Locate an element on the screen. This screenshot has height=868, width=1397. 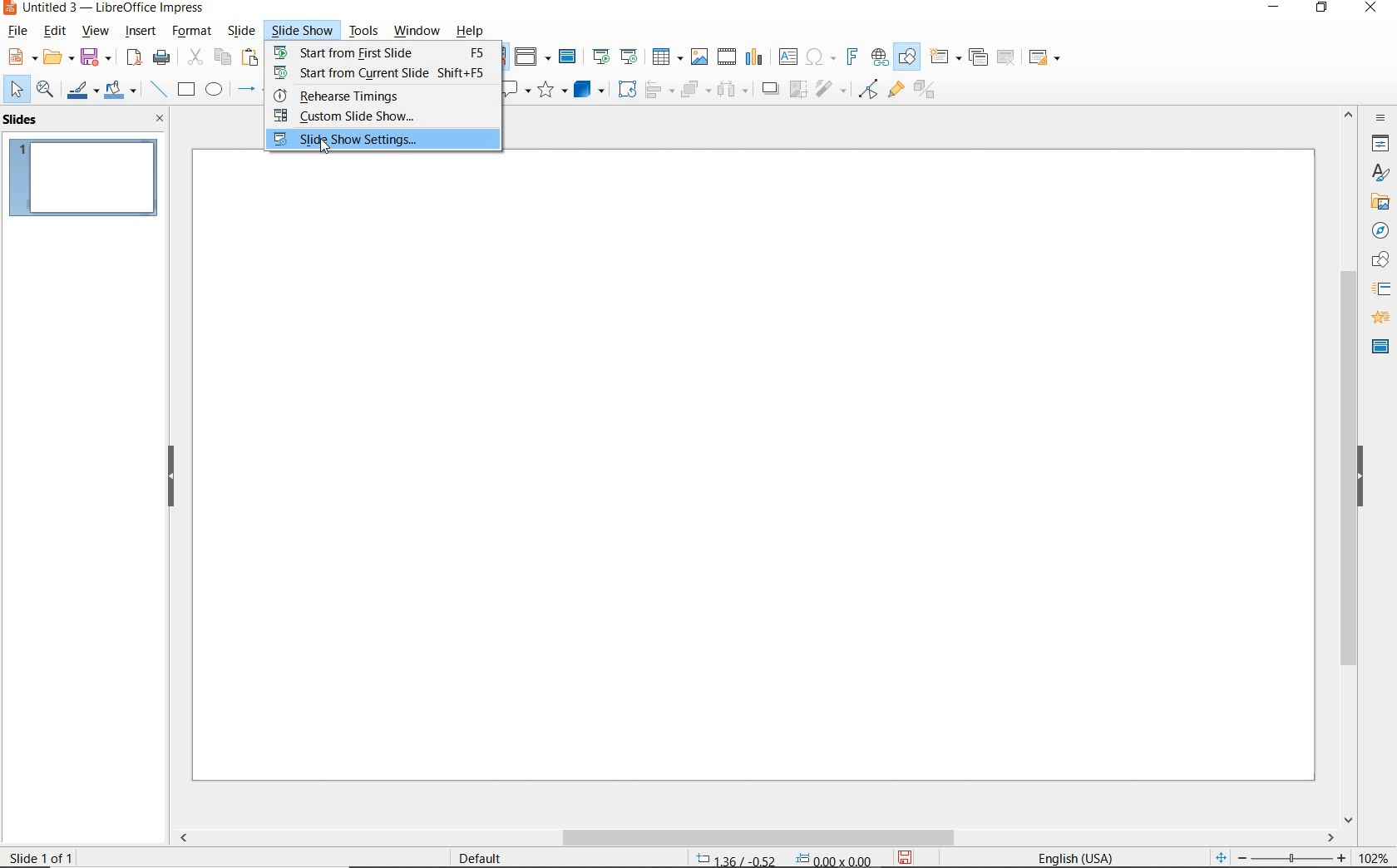
HELP is located at coordinates (477, 28).